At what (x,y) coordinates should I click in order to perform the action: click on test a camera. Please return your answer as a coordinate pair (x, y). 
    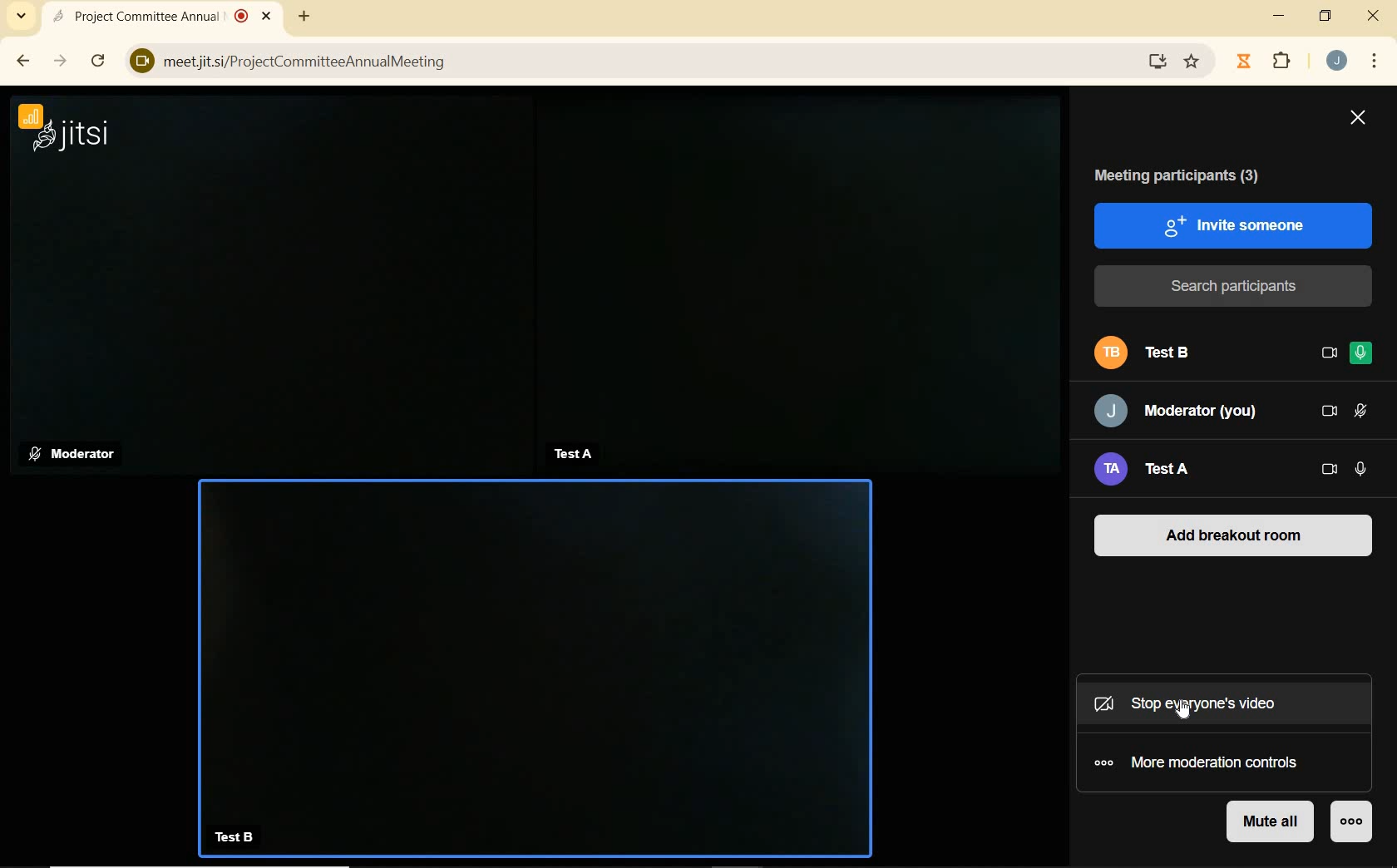
    Looking at the image, I should click on (801, 304).